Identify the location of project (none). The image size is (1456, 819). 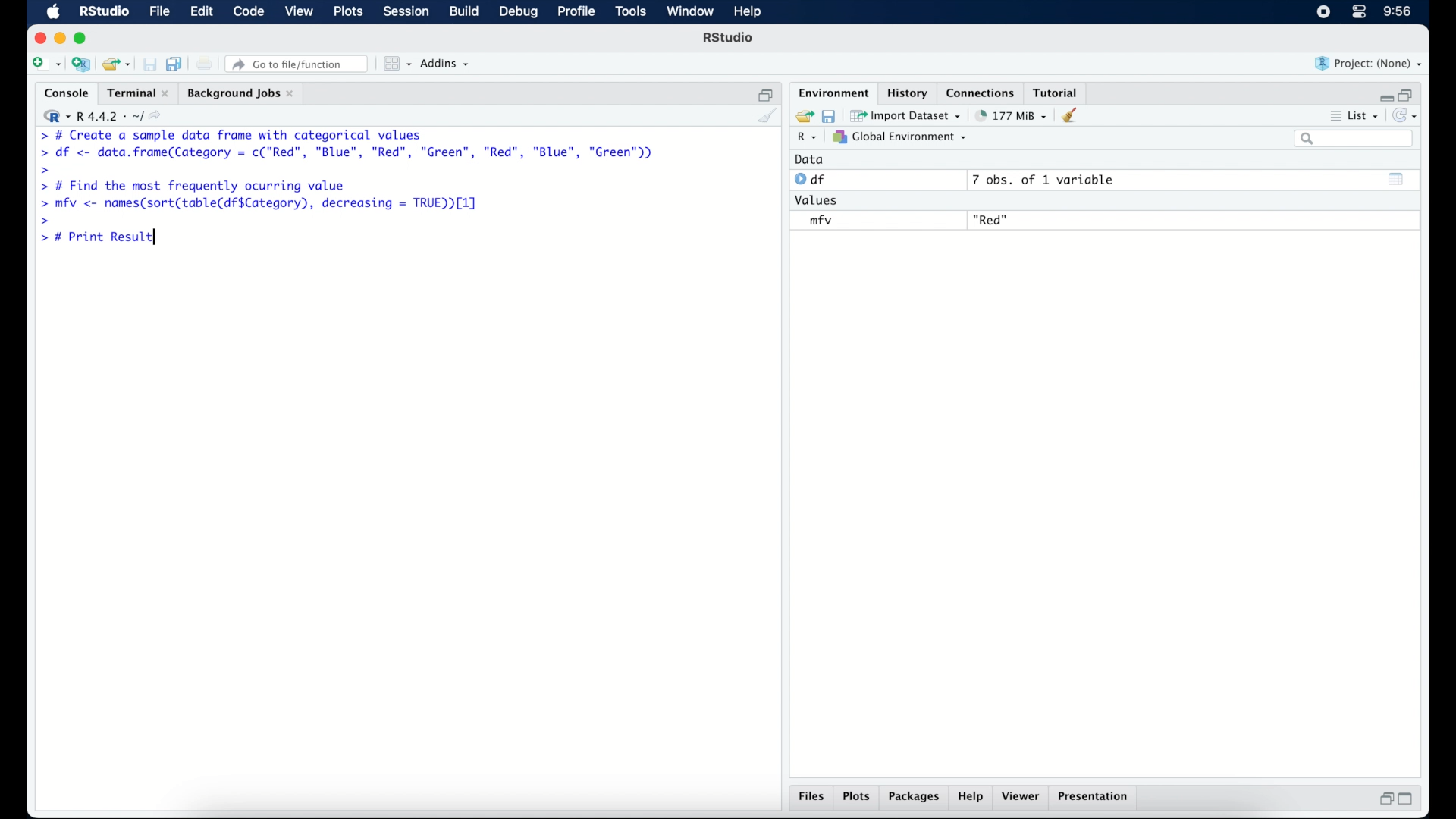
(1369, 63).